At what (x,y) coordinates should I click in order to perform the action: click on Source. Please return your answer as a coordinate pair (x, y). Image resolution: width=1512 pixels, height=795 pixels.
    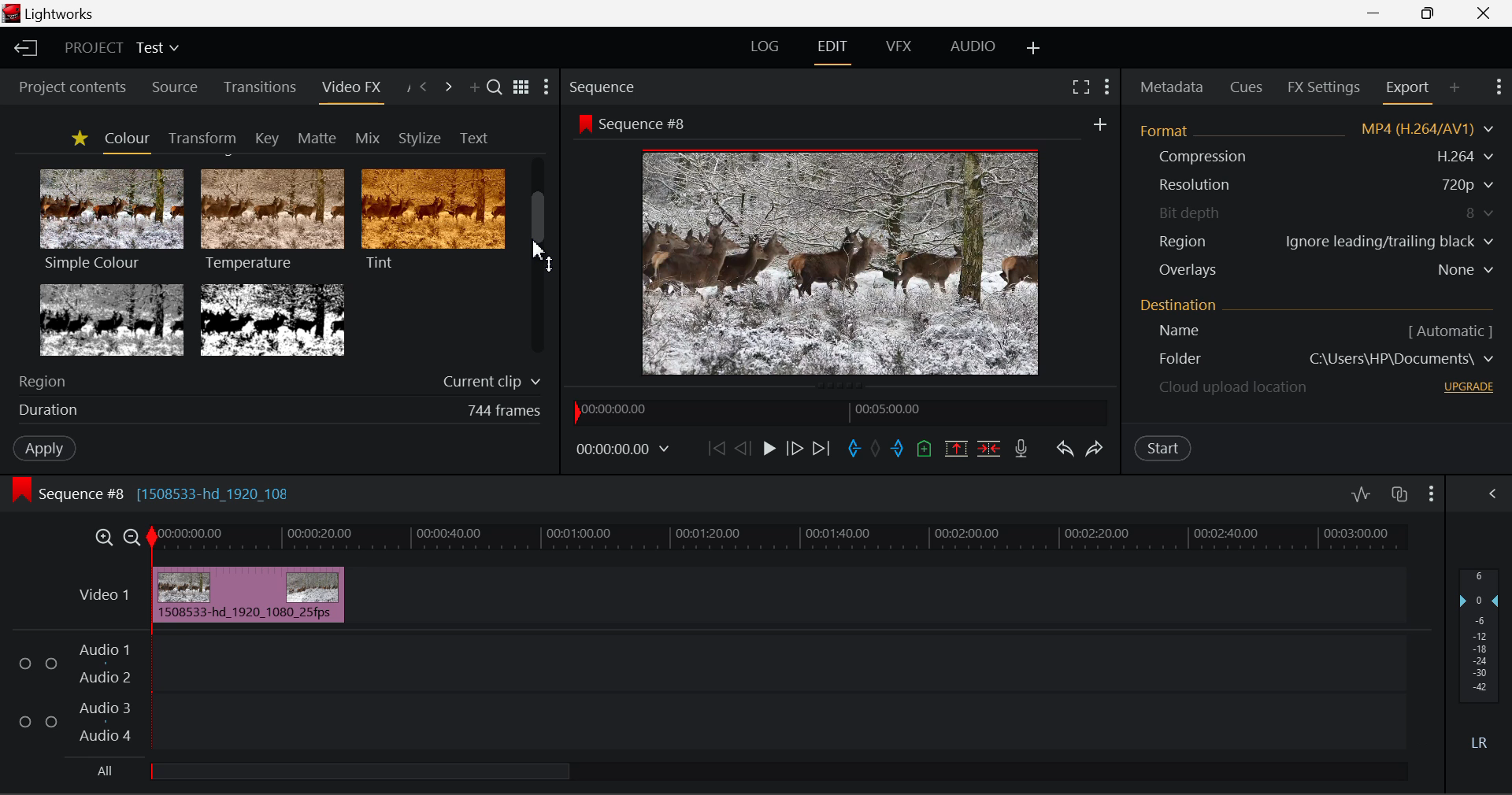
    Looking at the image, I should click on (176, 90).